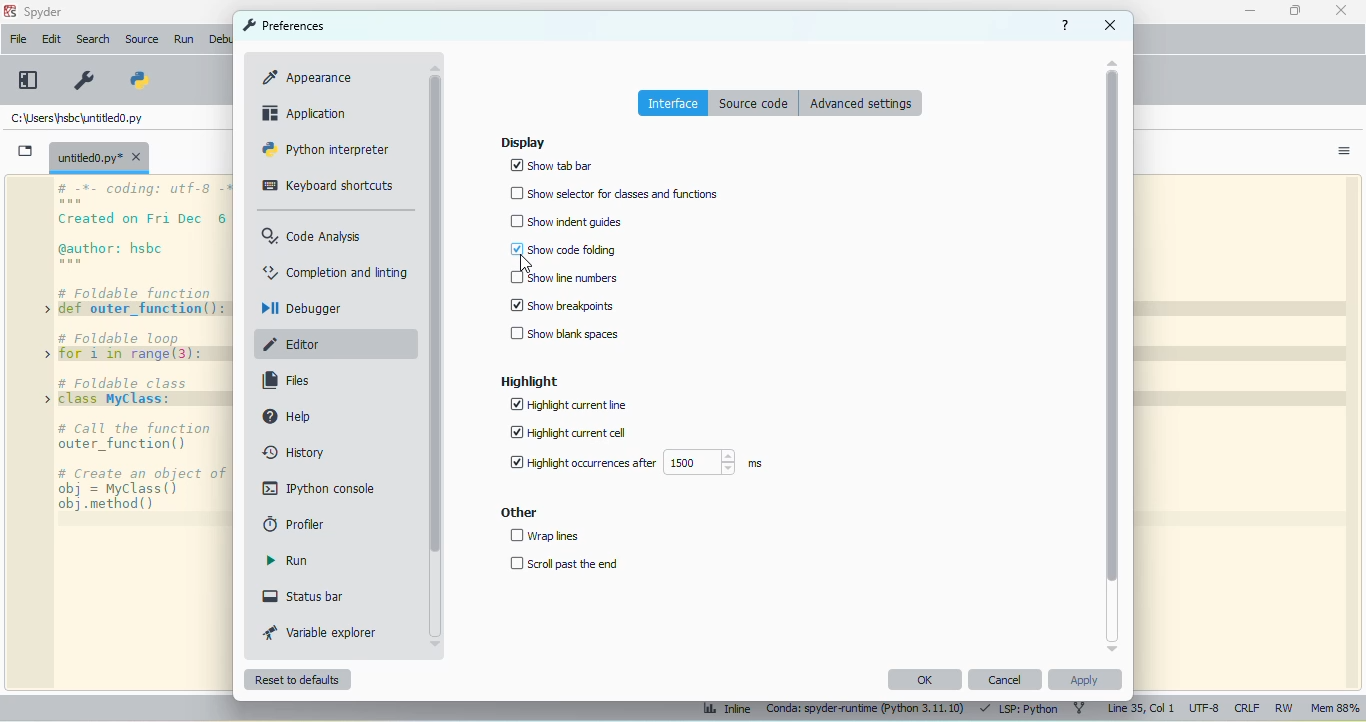 Image resolution: width=1366 pixels, height=722 pixels. Describe the element at coordinates (564, 334) in the screenshot. I see `show blank spaces` at that location.